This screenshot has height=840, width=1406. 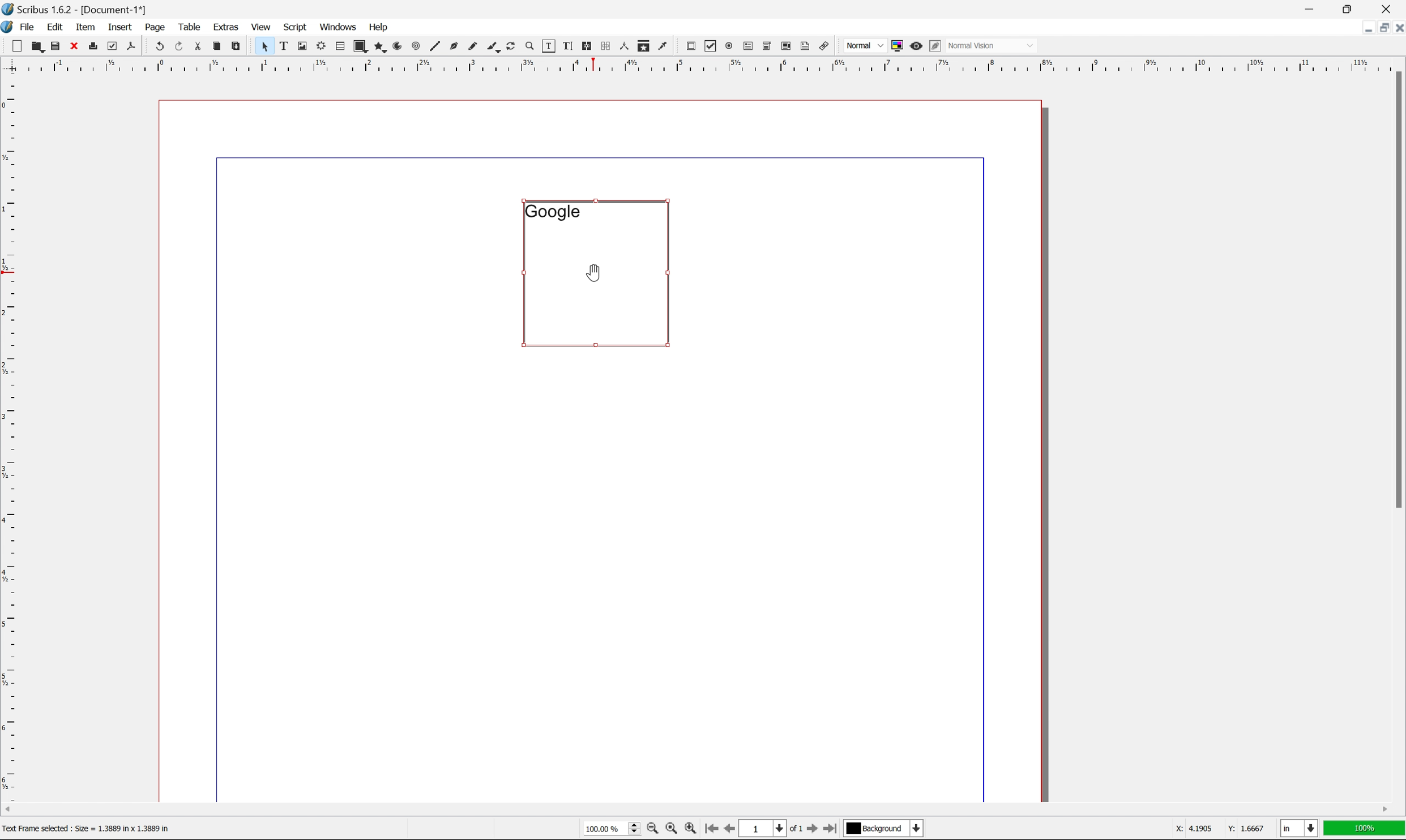 I want to click on 100%, so click(x=1365, y=829).